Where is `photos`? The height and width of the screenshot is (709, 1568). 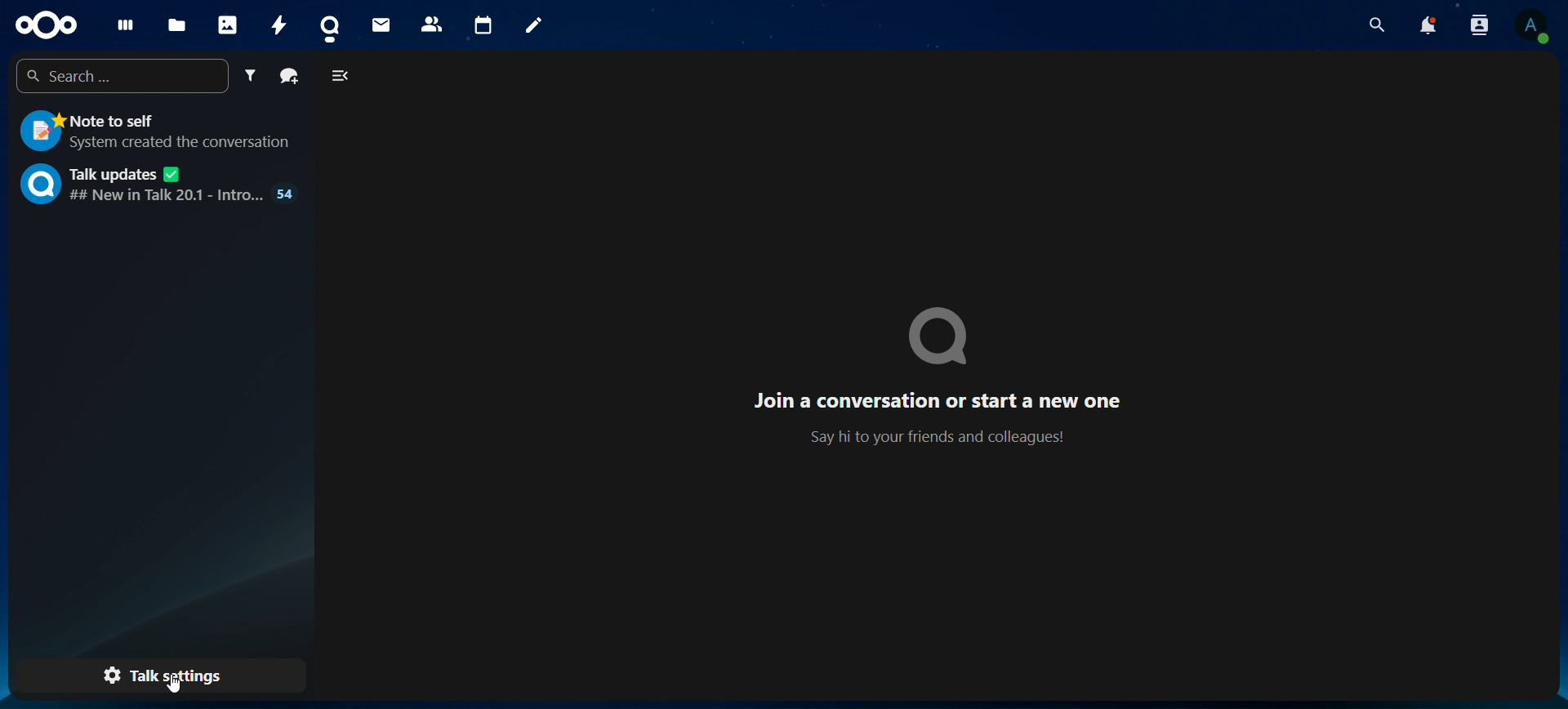 photos is located at coordinates (226, 20).